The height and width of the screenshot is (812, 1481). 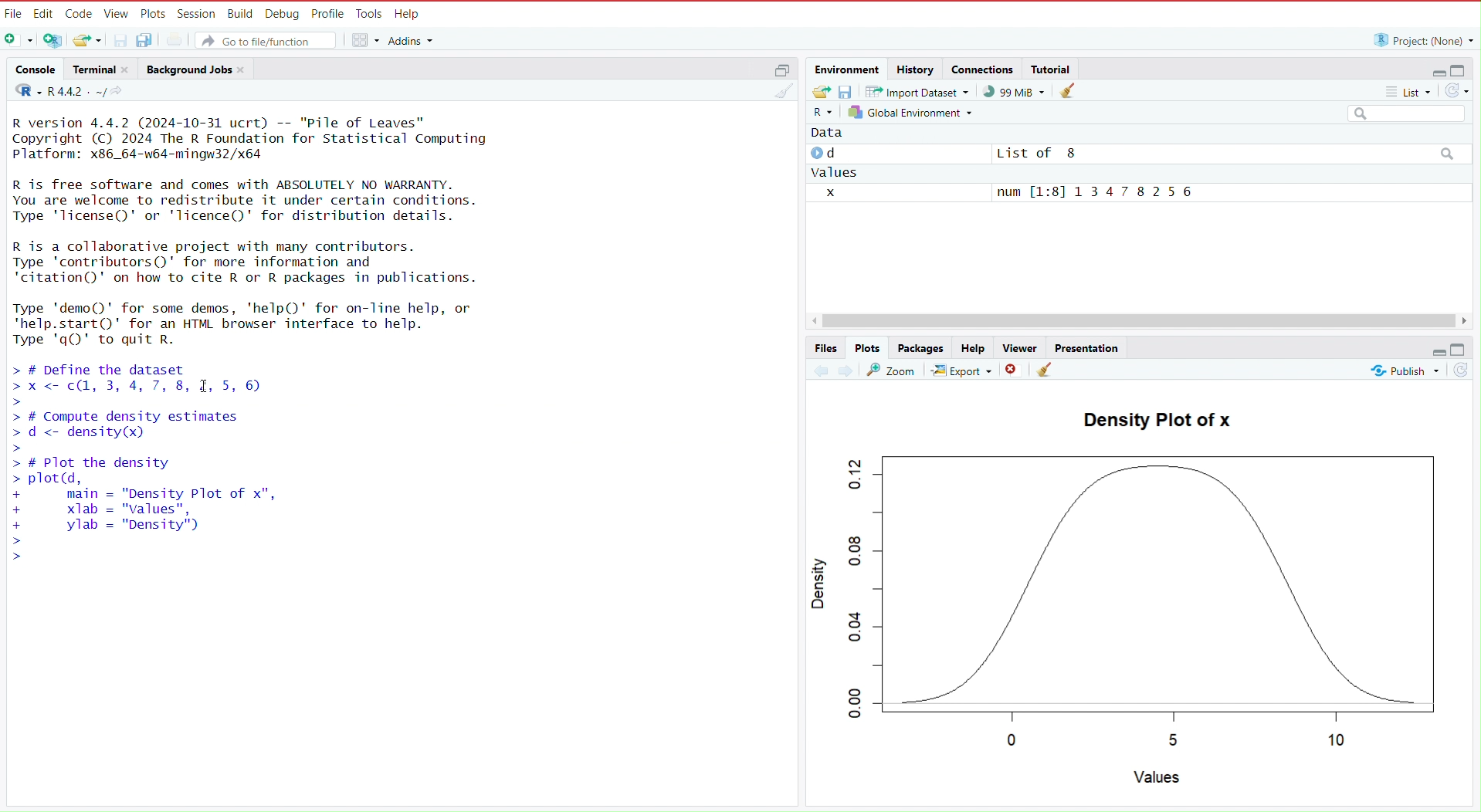 I want to click on language select, so click(x=822, y=115).